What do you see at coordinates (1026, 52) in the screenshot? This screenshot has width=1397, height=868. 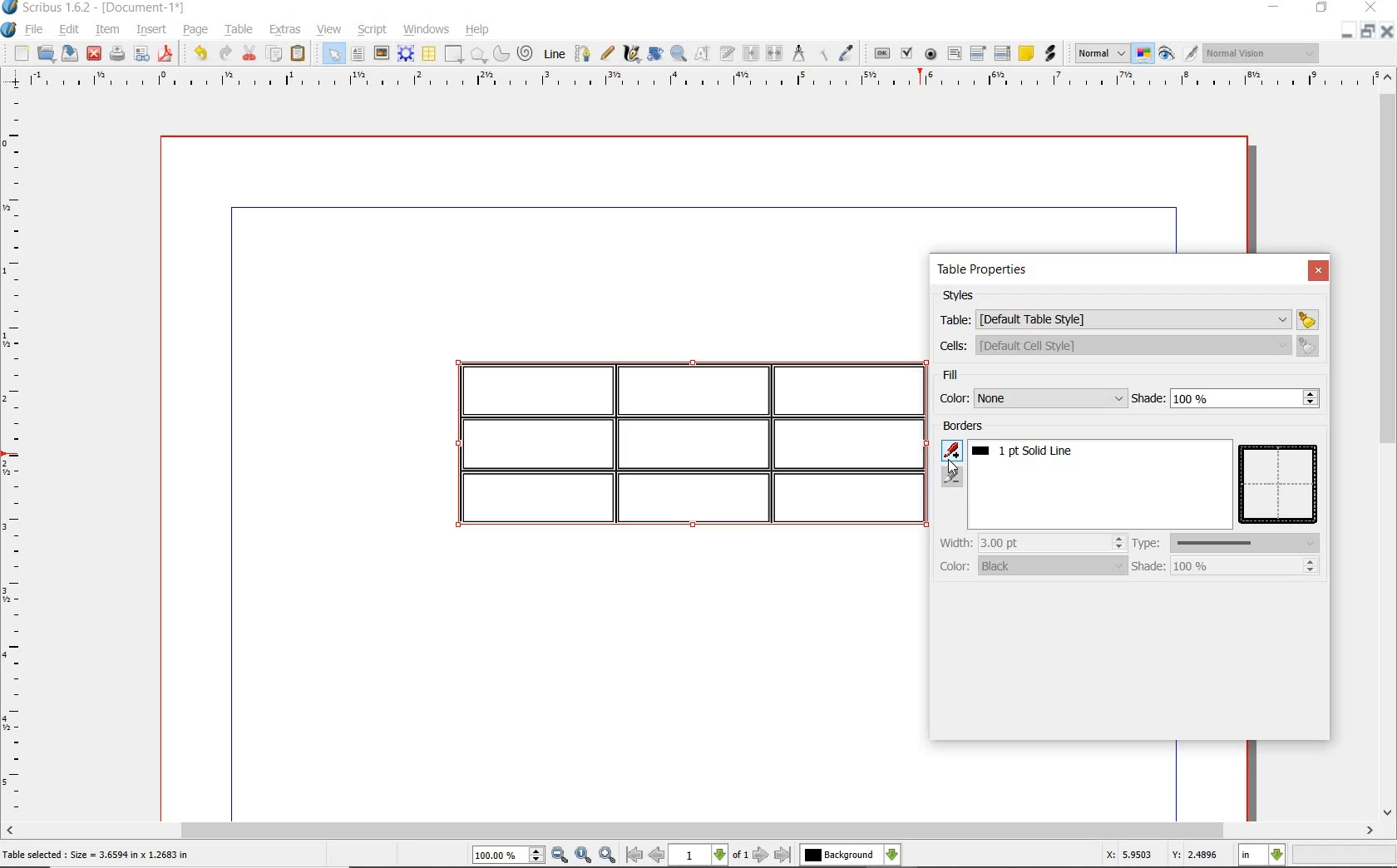 I see `text annotatin` at bounding box center [1026, 52].